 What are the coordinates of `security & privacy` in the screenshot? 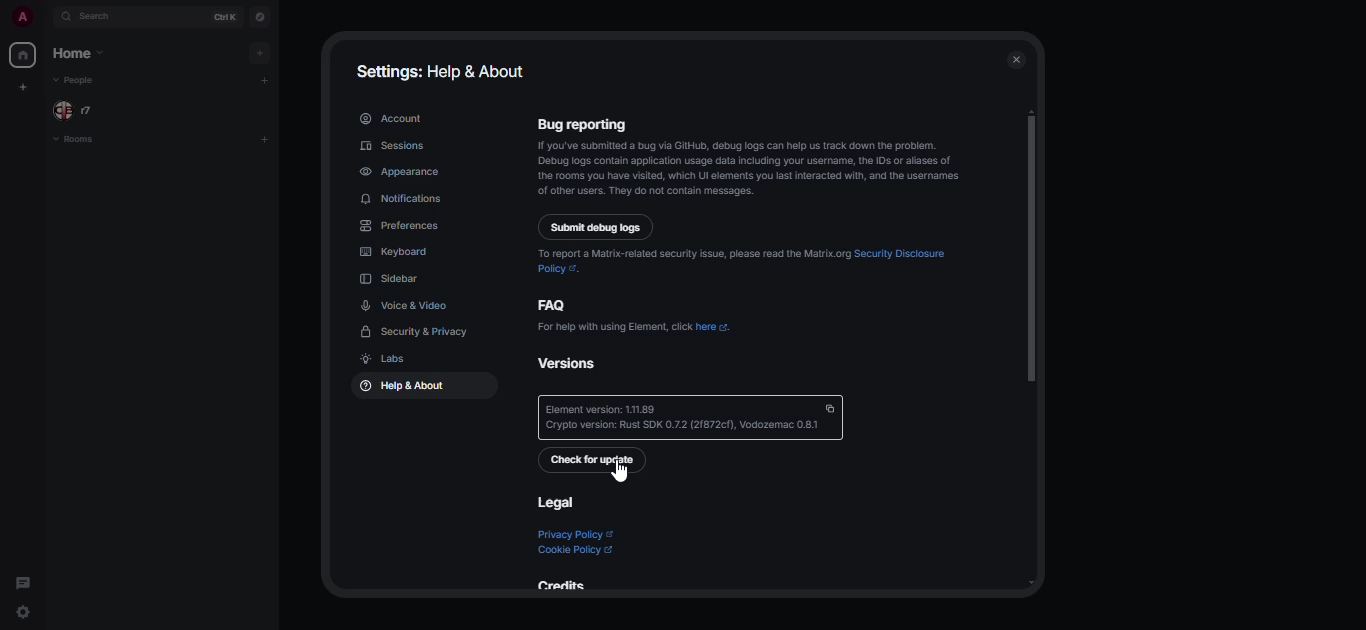 It's located at (419, 332).